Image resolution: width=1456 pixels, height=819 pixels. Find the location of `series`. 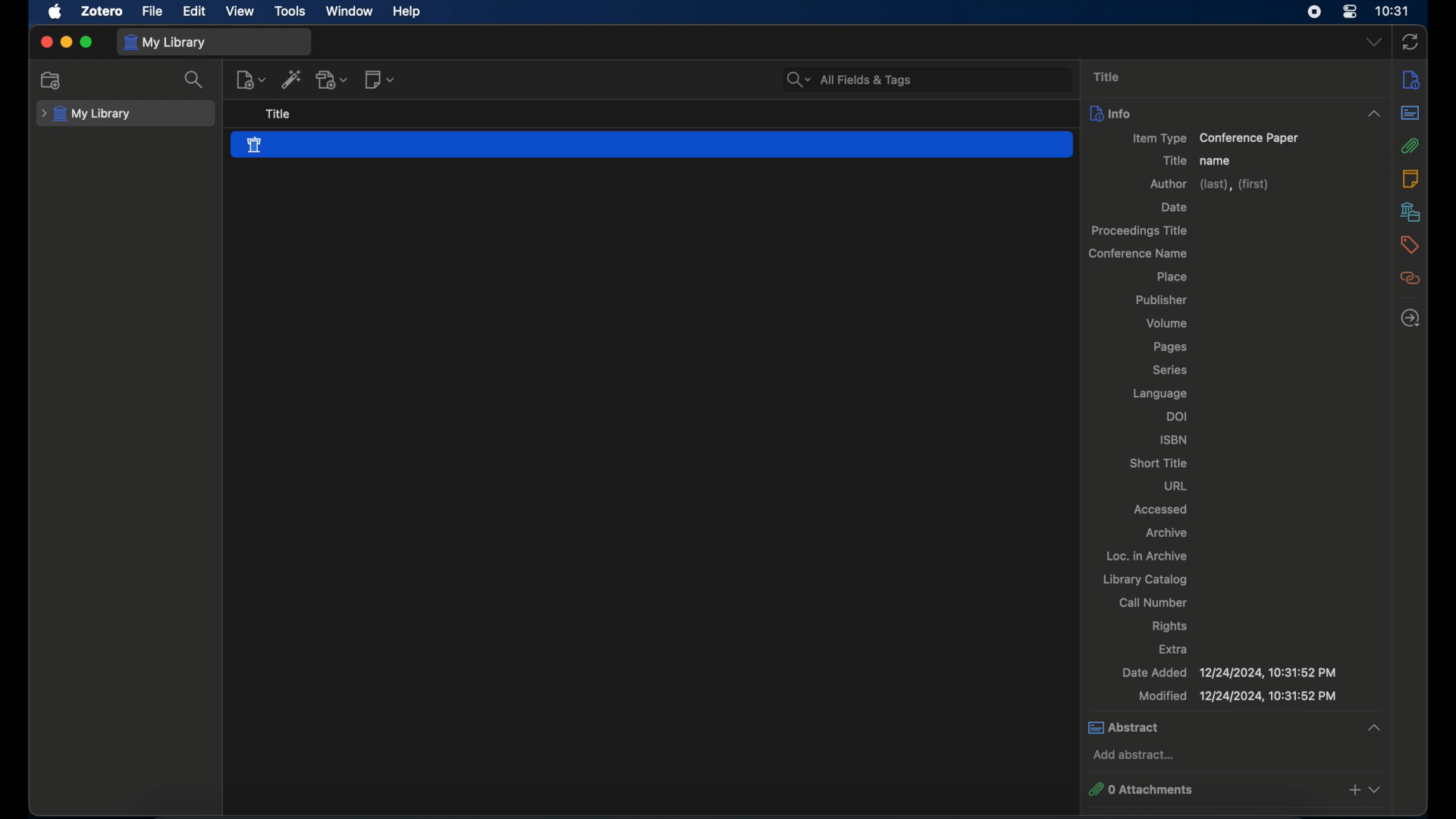

series is located at coordinates (1170, 369).